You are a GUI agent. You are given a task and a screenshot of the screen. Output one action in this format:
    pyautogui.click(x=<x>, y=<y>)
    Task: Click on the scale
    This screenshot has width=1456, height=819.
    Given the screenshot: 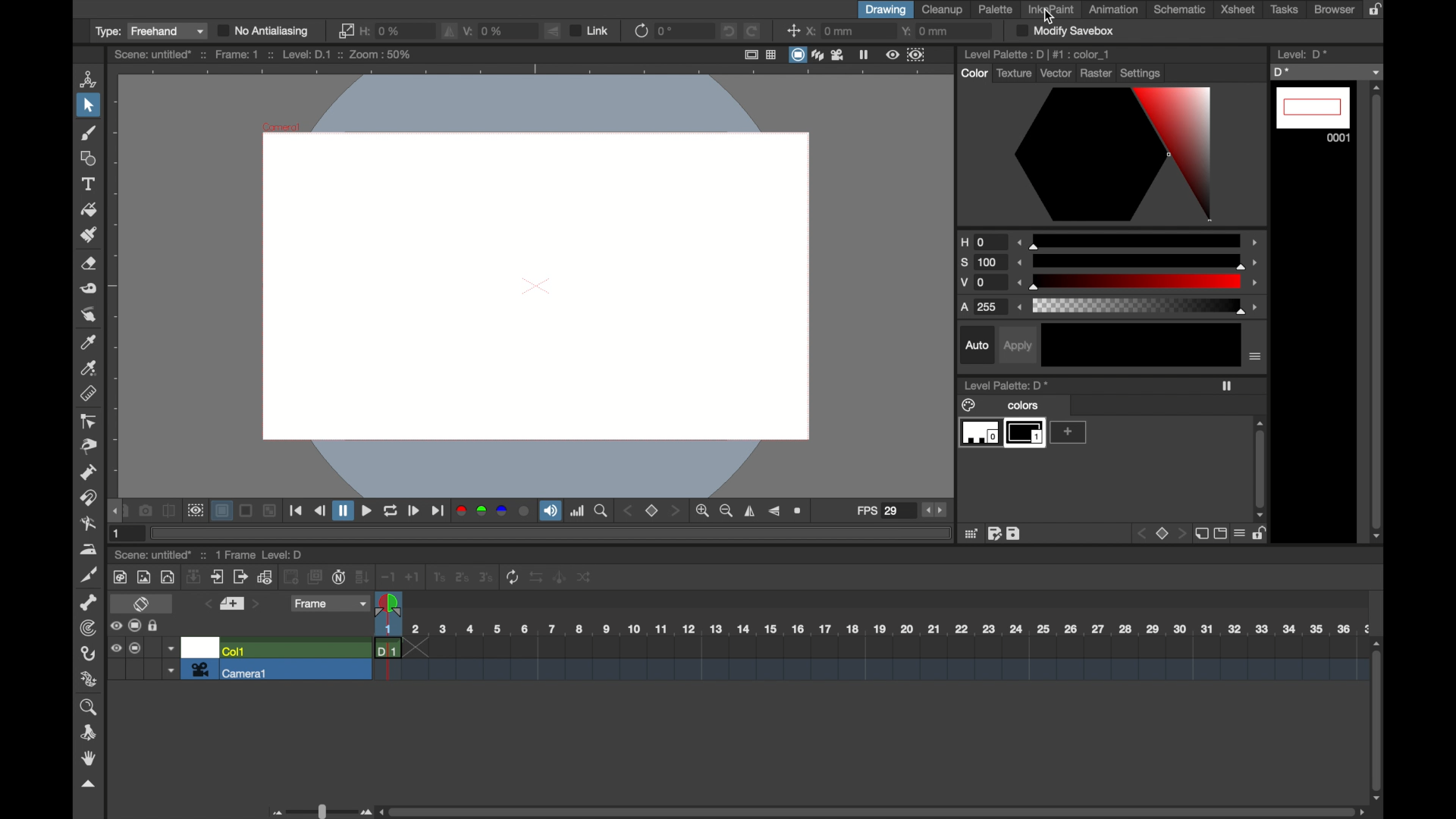 What is the action you would take?
    pyautogui.click(x=1139, y=239)
    